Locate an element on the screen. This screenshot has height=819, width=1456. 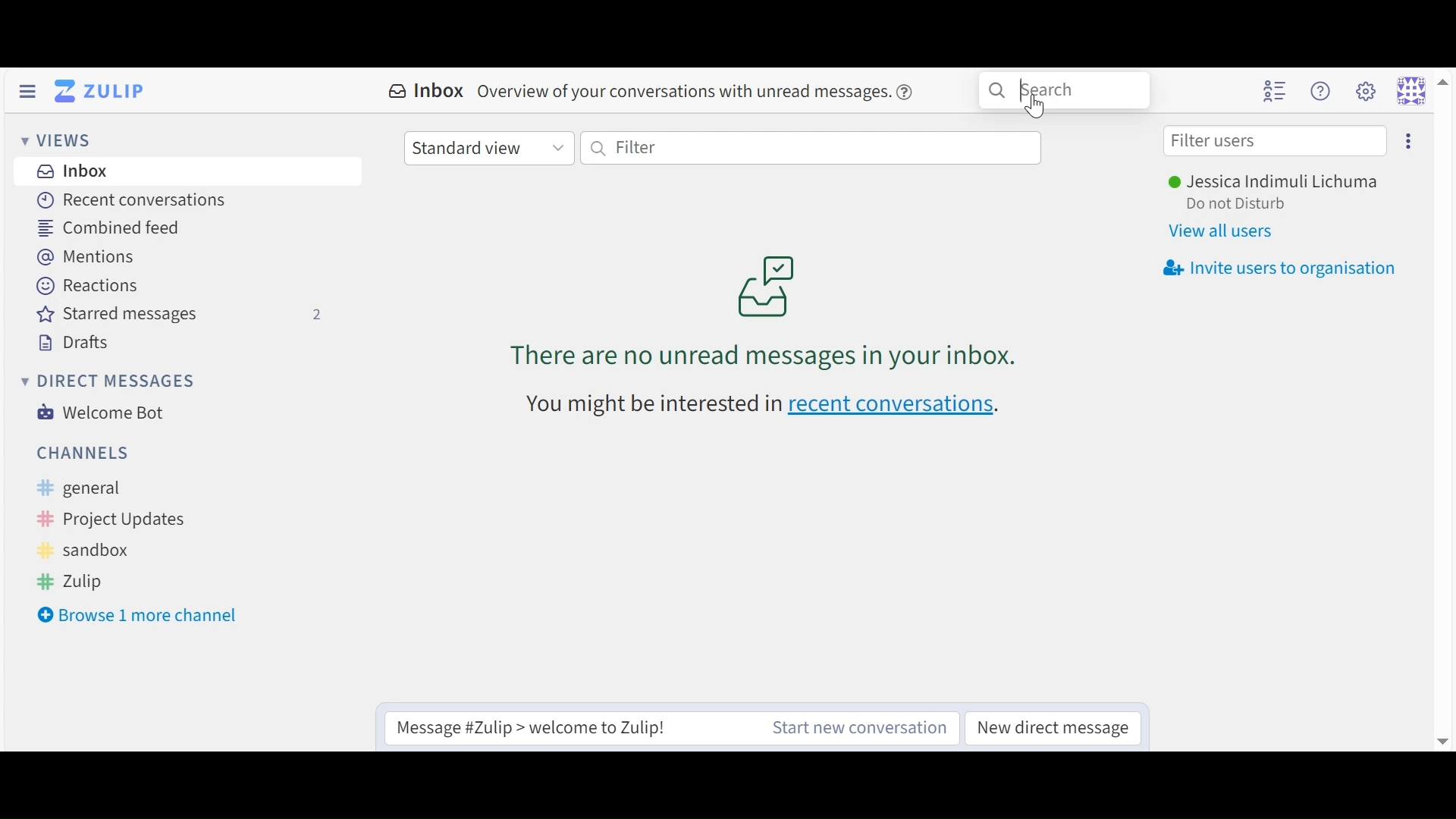
Hide Sidebar is located at coordinates (26, 91).